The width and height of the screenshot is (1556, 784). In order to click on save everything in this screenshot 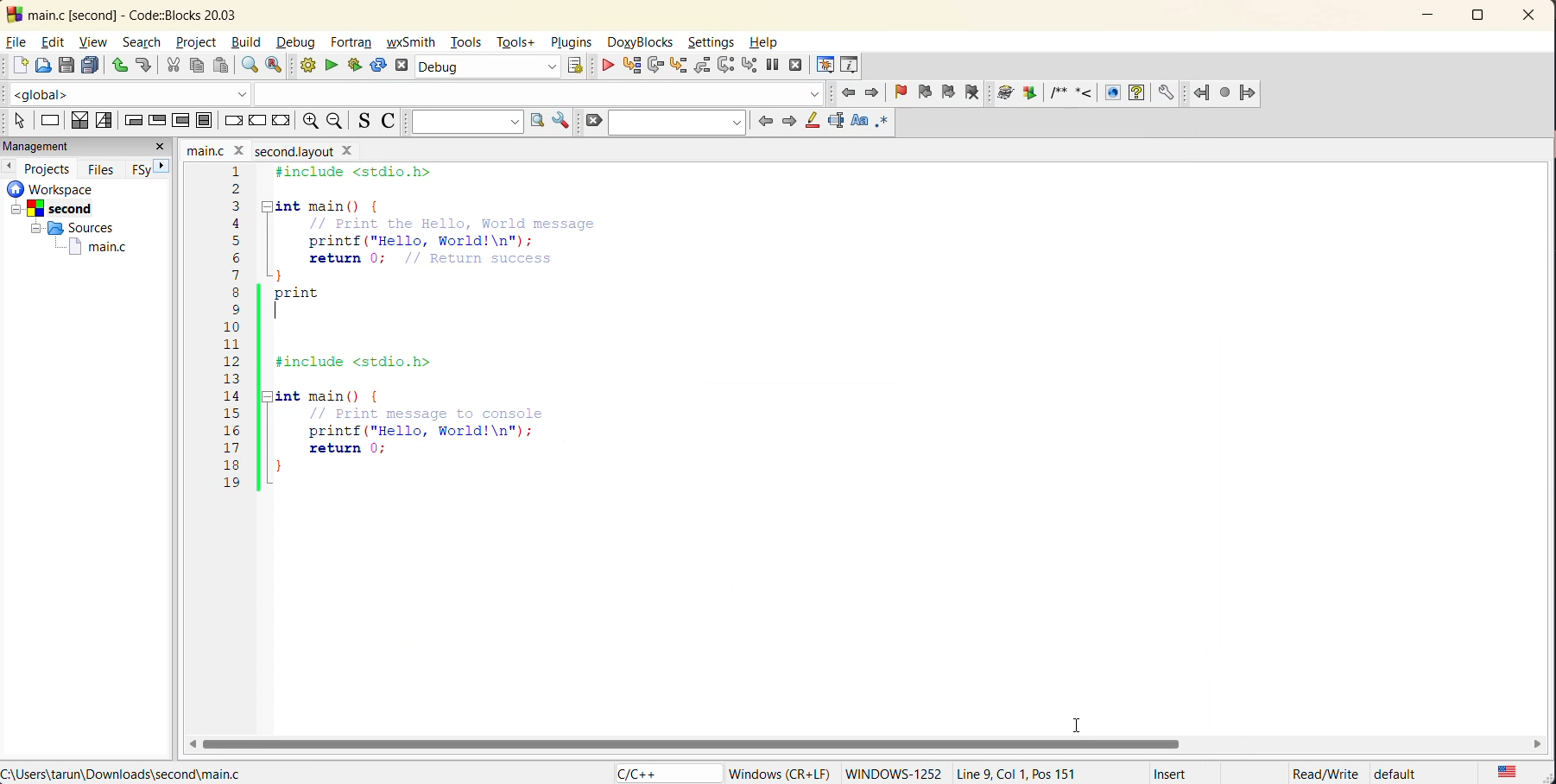, I will do `click(92, 66)`.